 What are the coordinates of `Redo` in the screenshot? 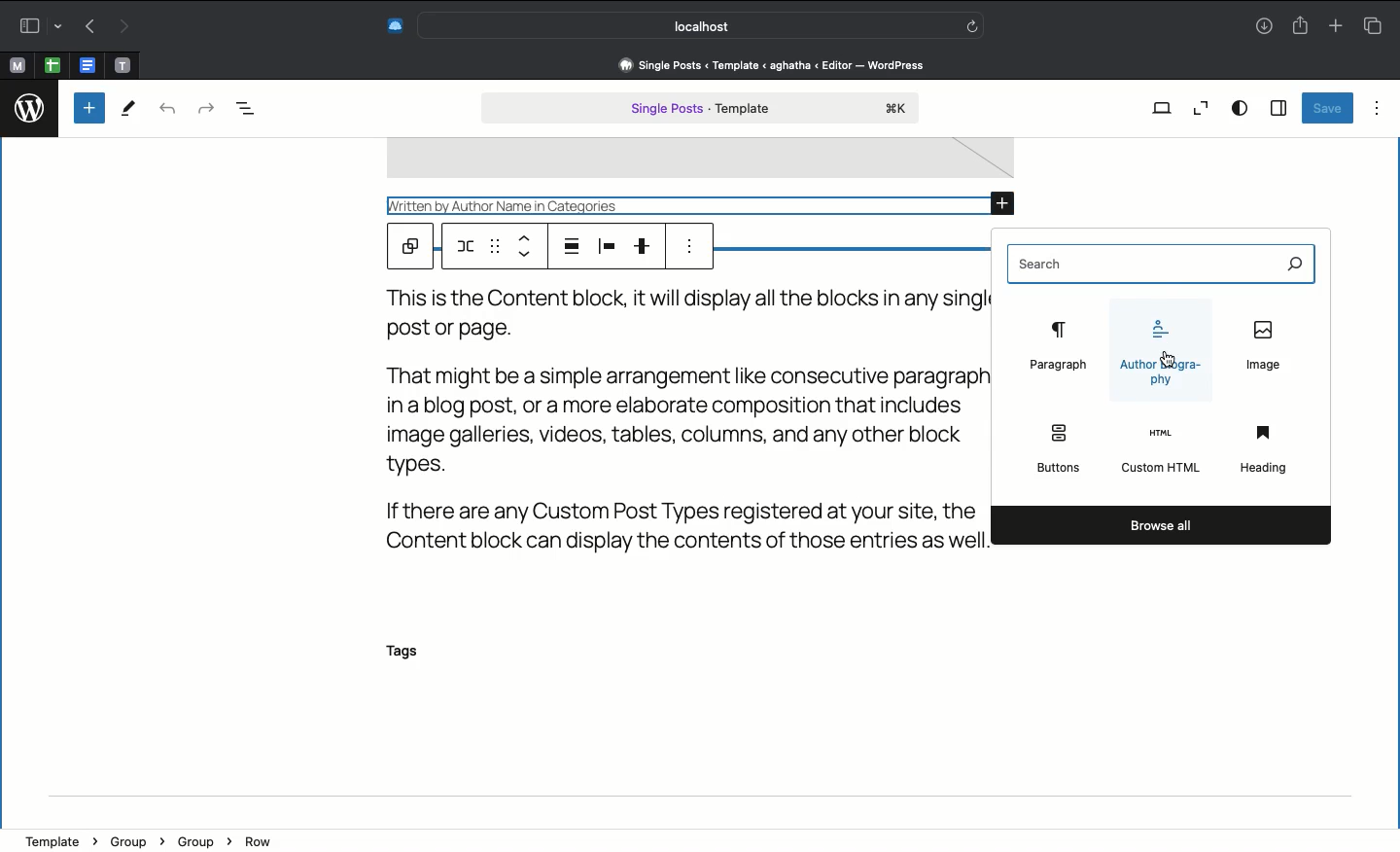 It's located at (204, 107).